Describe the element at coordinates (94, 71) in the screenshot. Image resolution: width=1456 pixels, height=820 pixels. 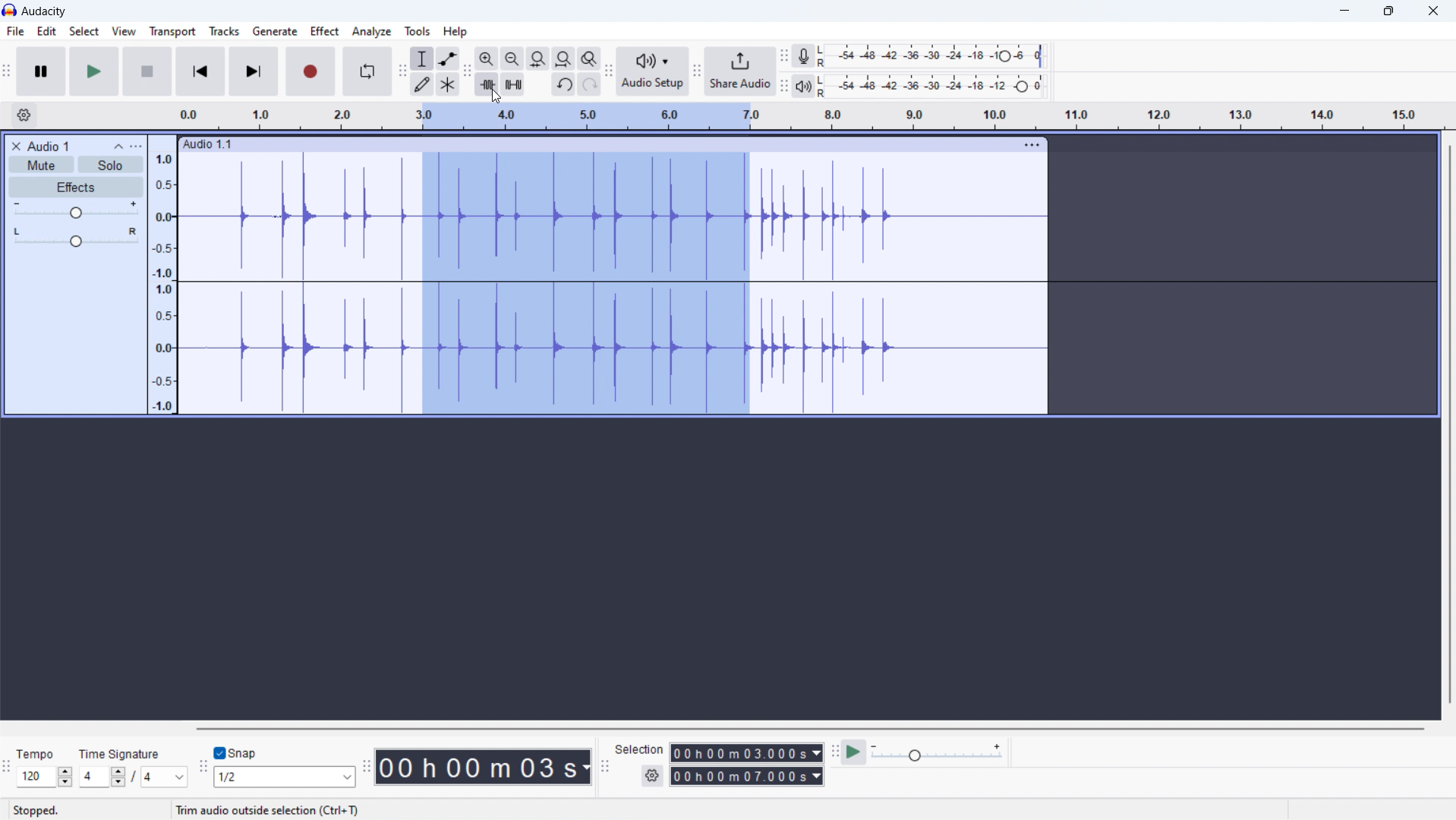
I see `play` at that location.